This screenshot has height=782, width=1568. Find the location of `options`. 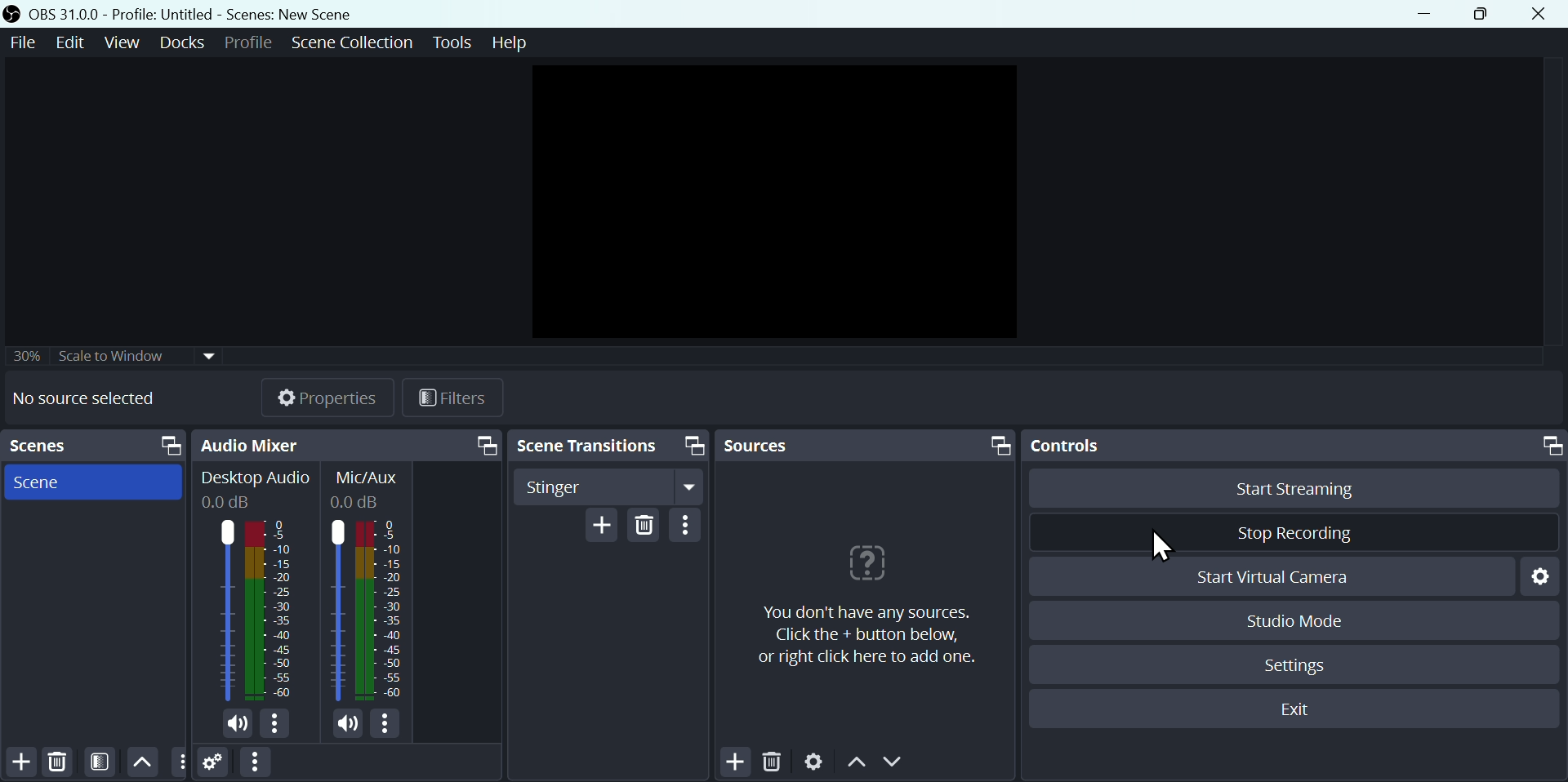

options is located at coordinates (254, 763).